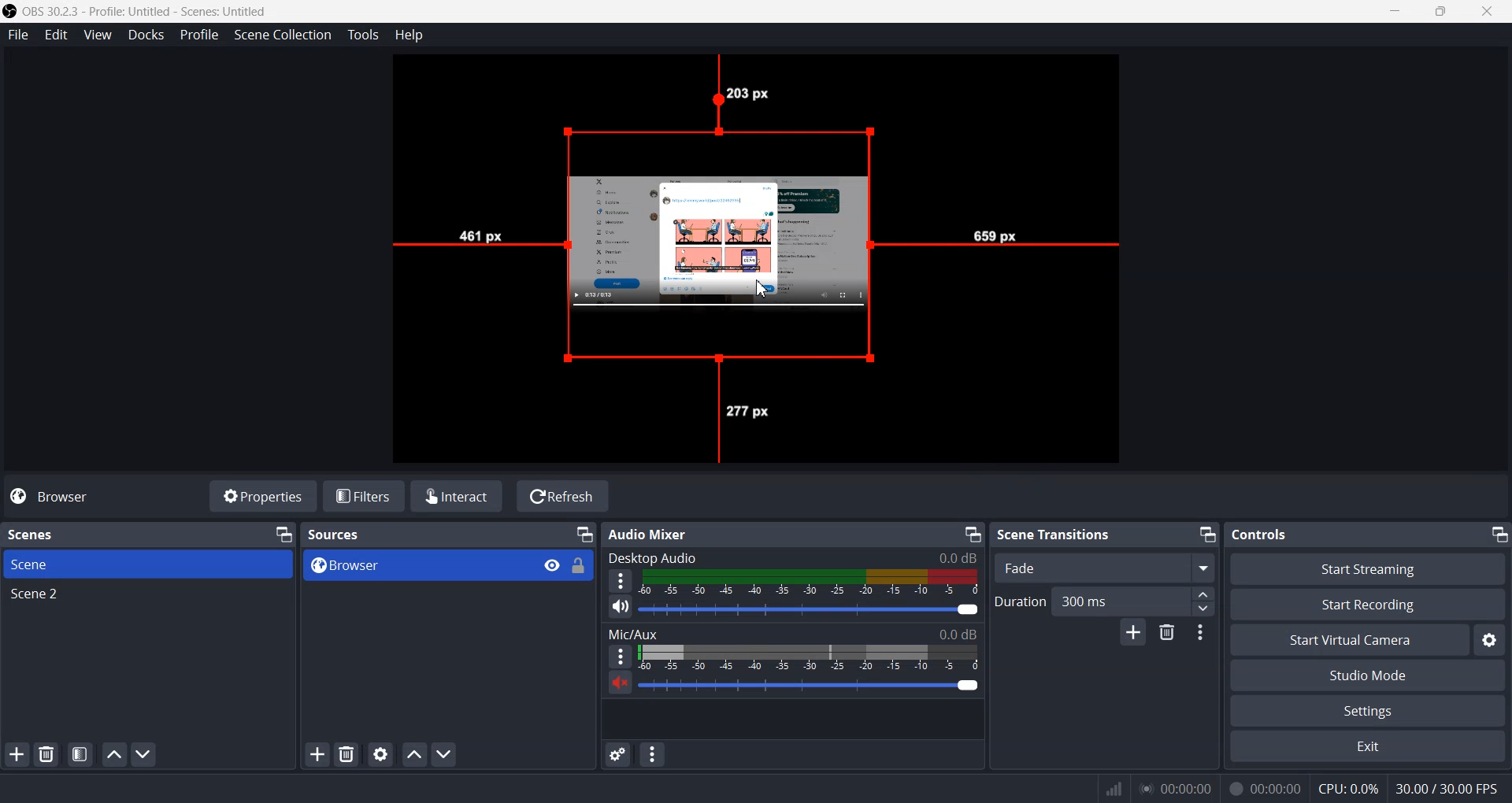  I want to click on Advance audio properties, so click(619, 755).